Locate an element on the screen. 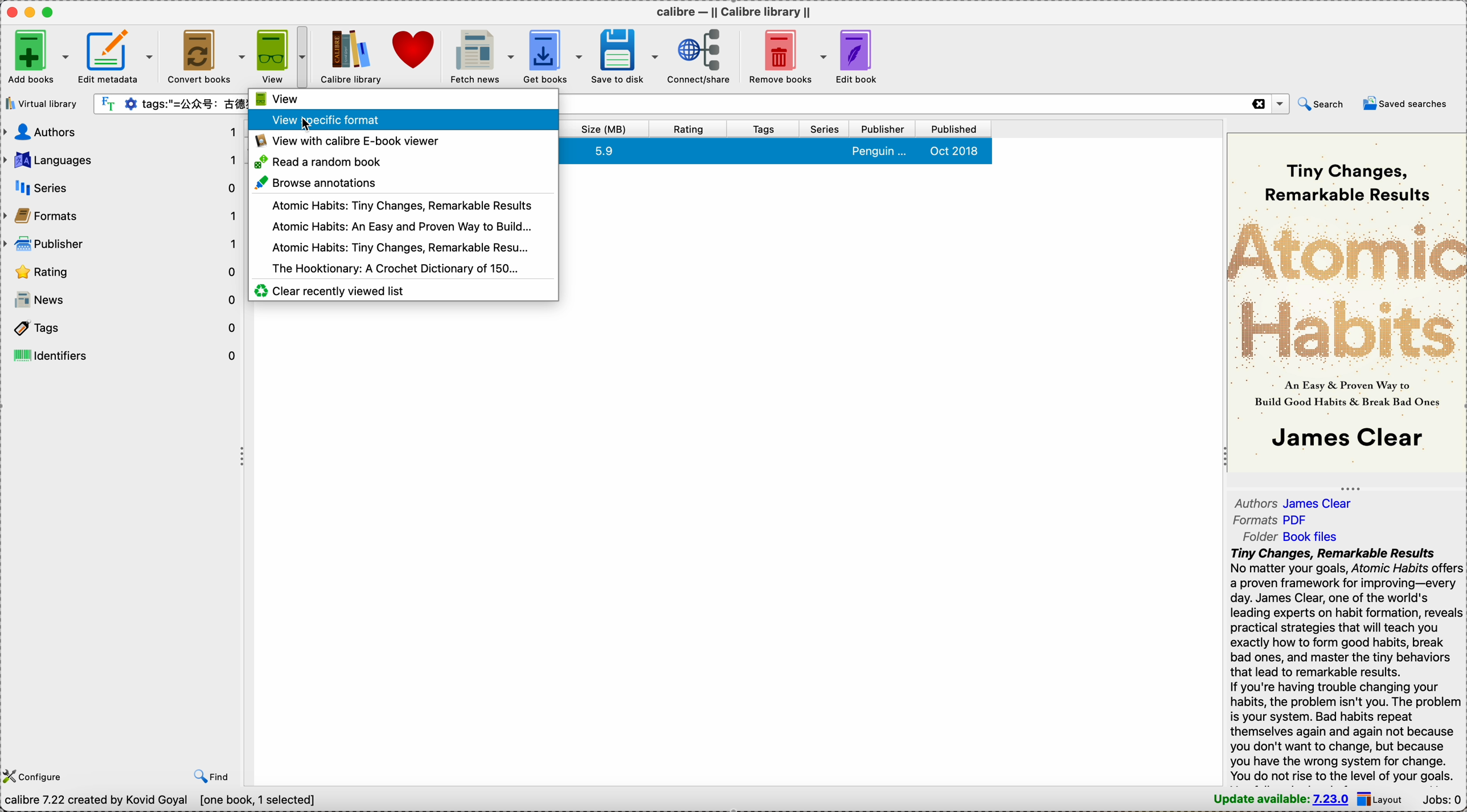 The width and height of the screenshot is (1467, 812). size is located at coordinates (604, 128).